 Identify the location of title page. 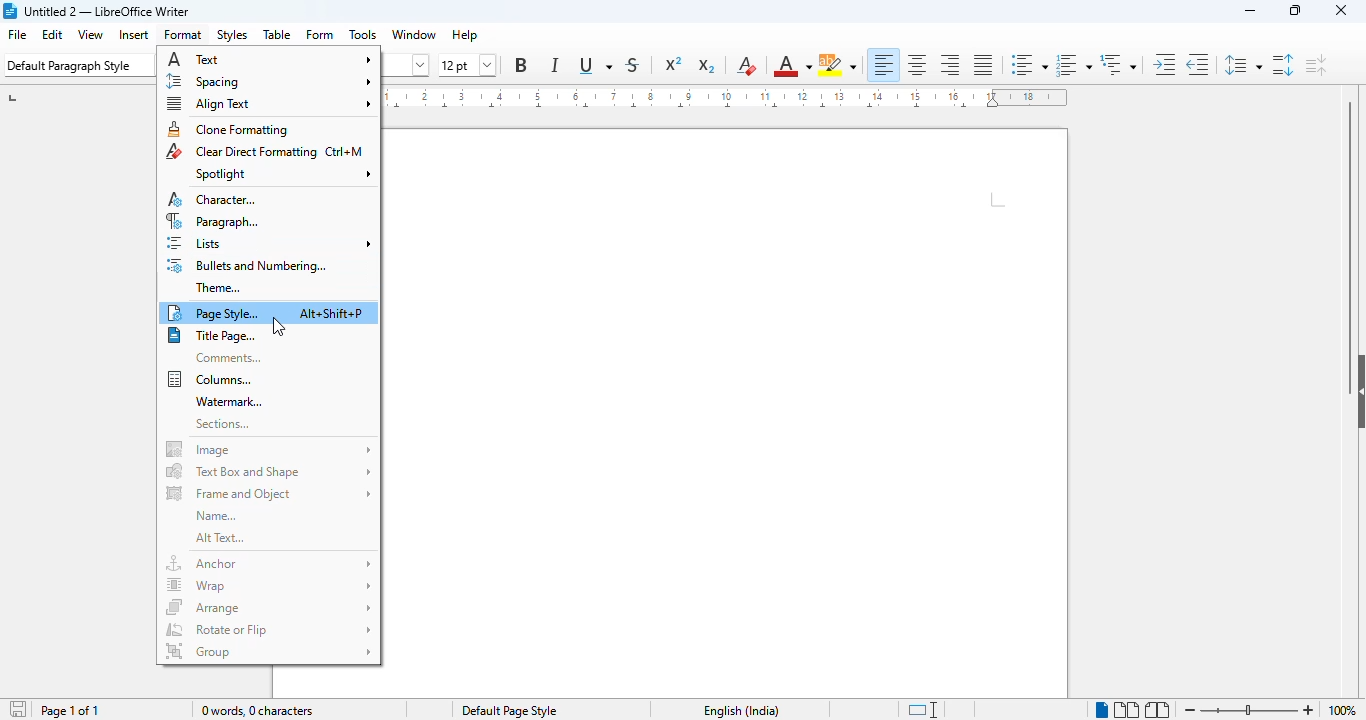
(211, 336).